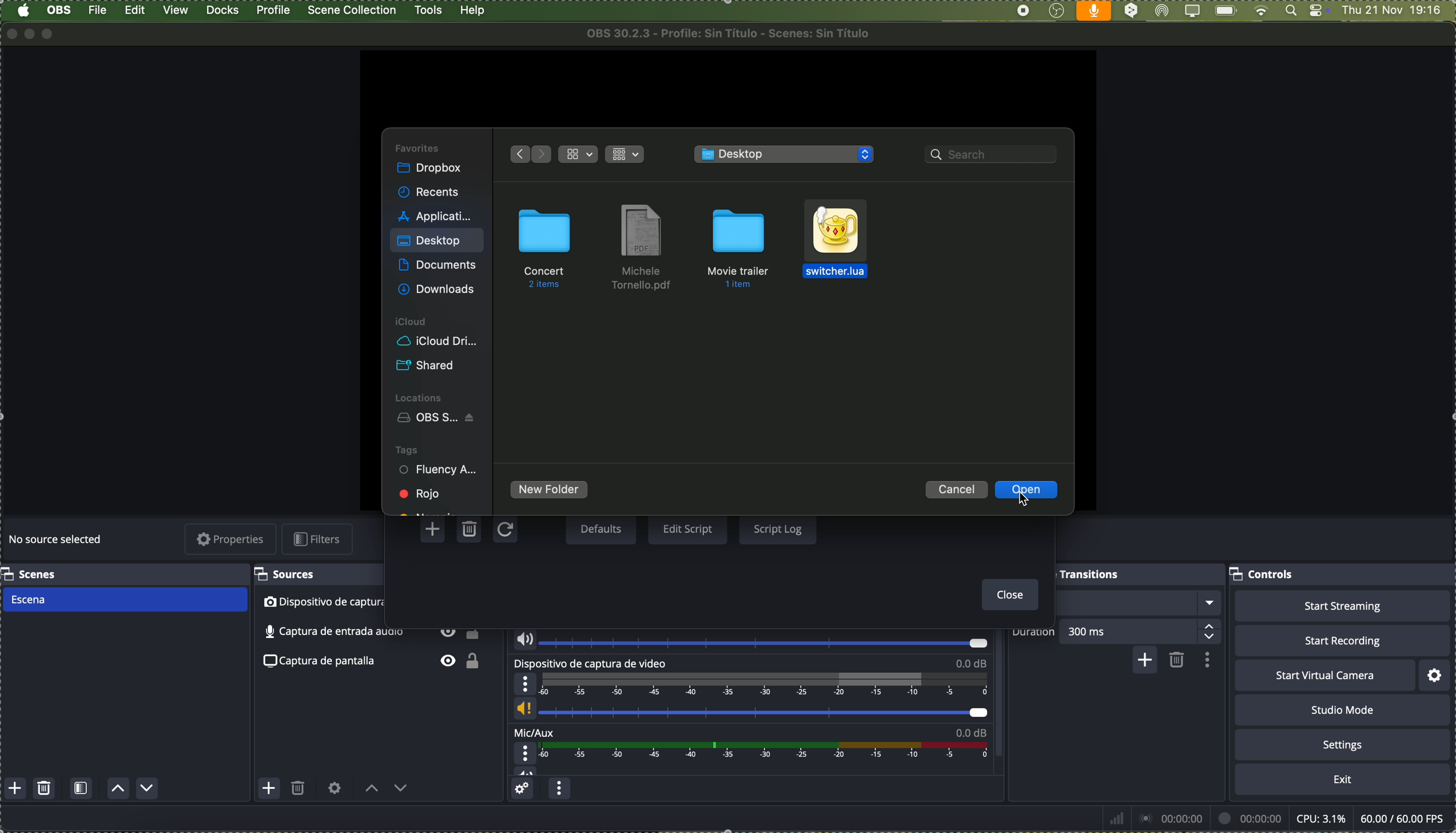 Image resolution: width=1456 pixels, height=833 pixels. Describe the element at coordinates (473, 11) in the screenshot. I see `help` at that location.